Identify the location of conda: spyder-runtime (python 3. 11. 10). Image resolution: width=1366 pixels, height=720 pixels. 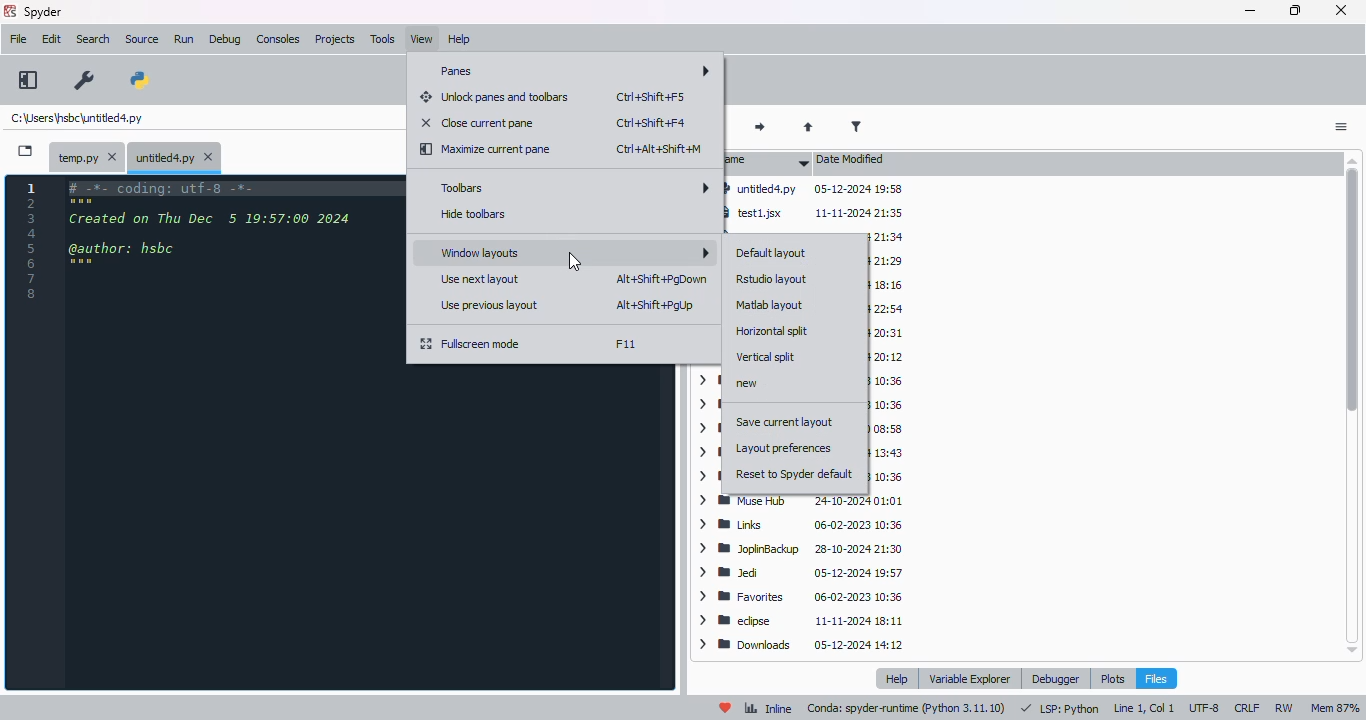
(908, 709).